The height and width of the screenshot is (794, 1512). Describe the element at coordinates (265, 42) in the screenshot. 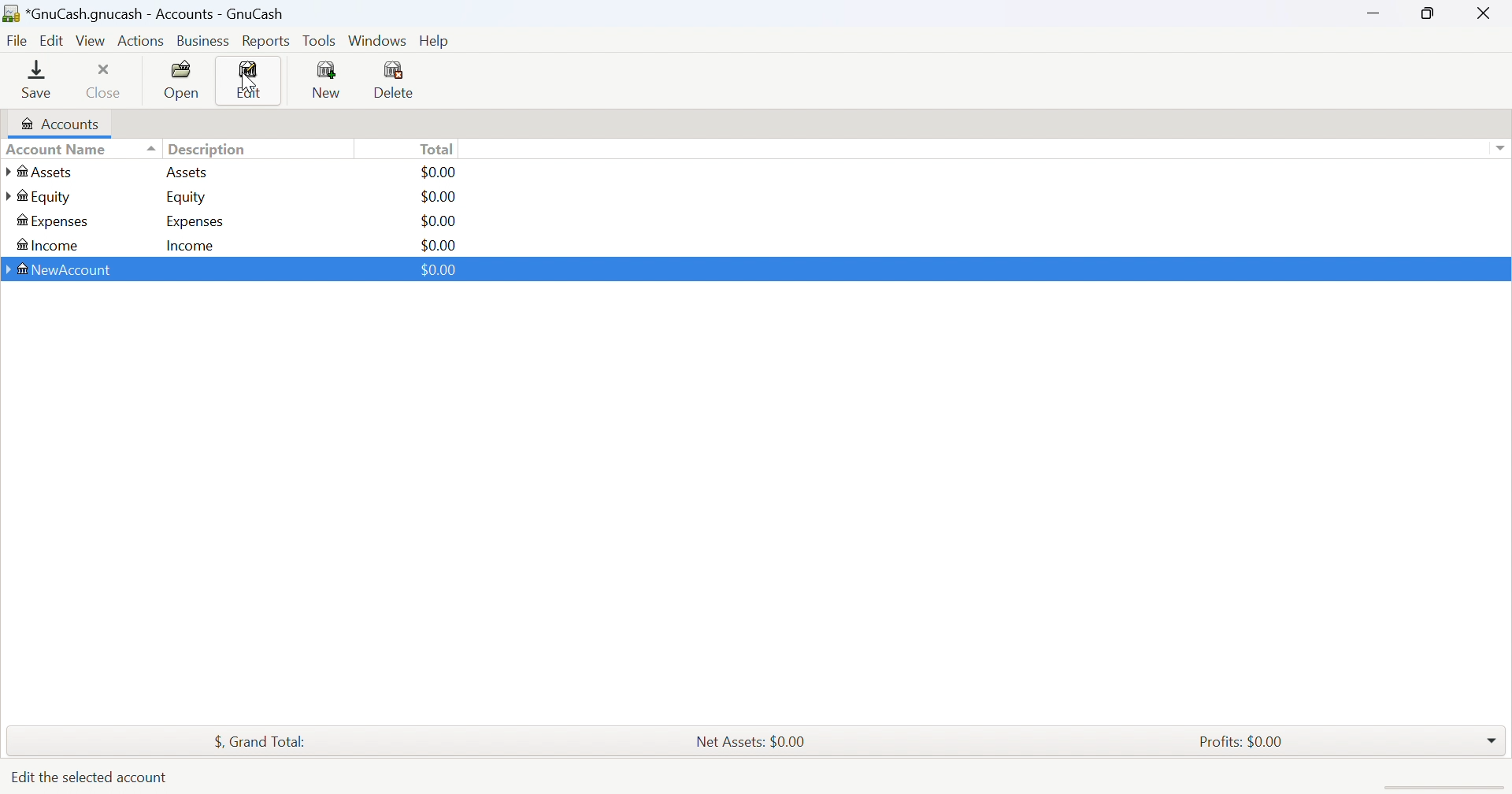

I see `Reports` at that location.